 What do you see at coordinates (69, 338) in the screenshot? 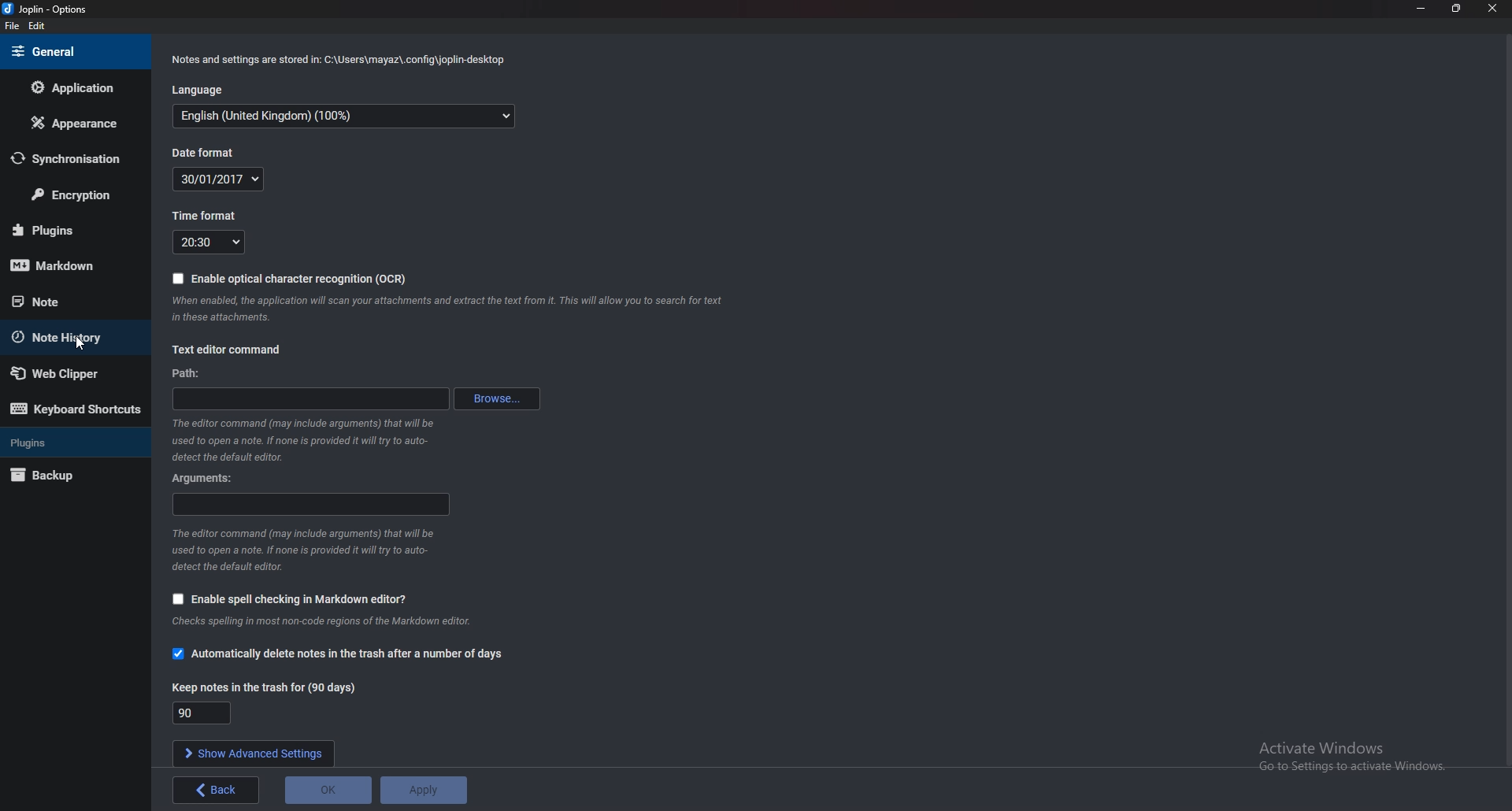
I see `Note history` at bounding box center [69, 338].